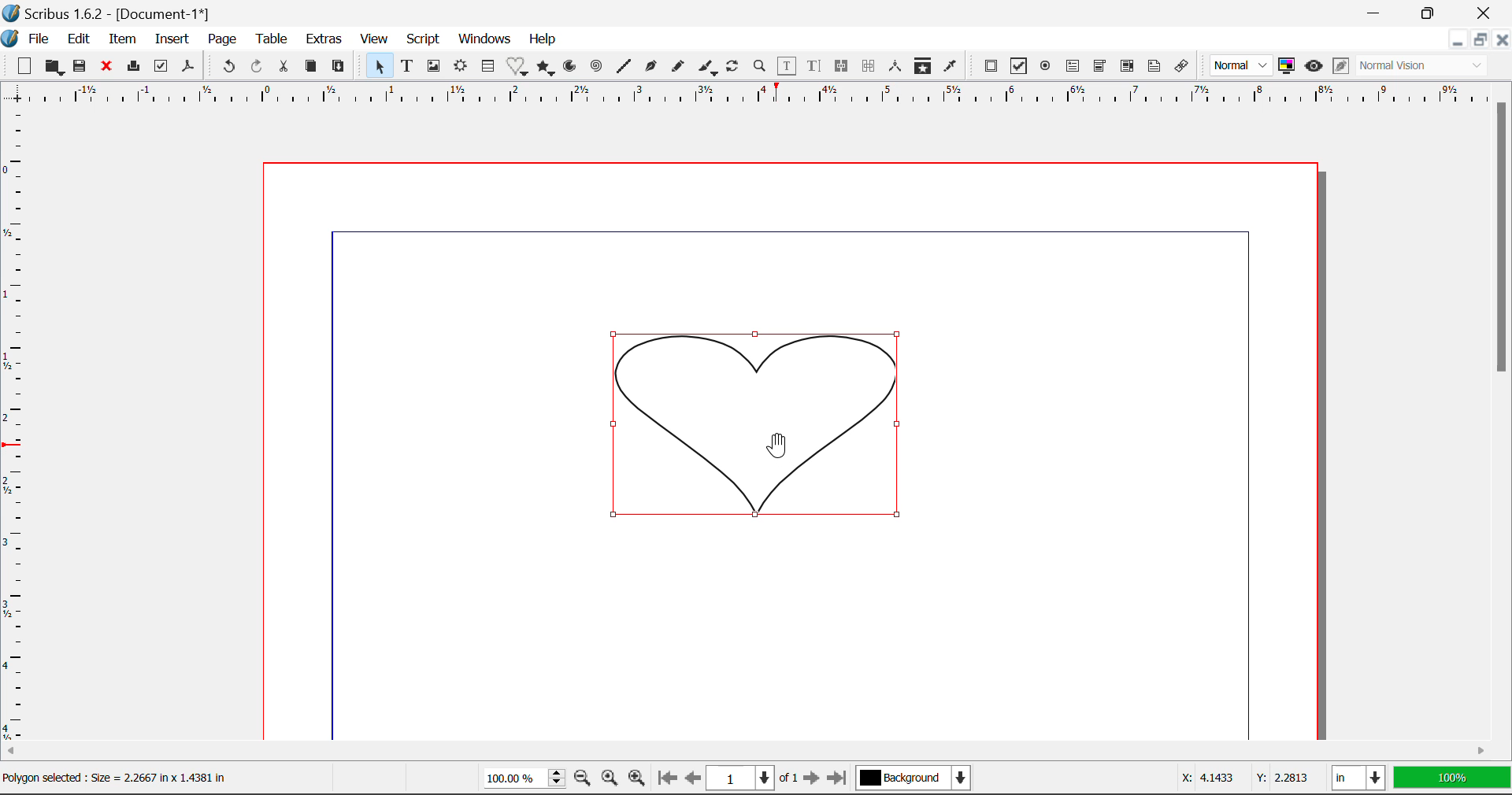 This screenshot has width=1512, height=795. I want to click on Item, so click(123, 40).